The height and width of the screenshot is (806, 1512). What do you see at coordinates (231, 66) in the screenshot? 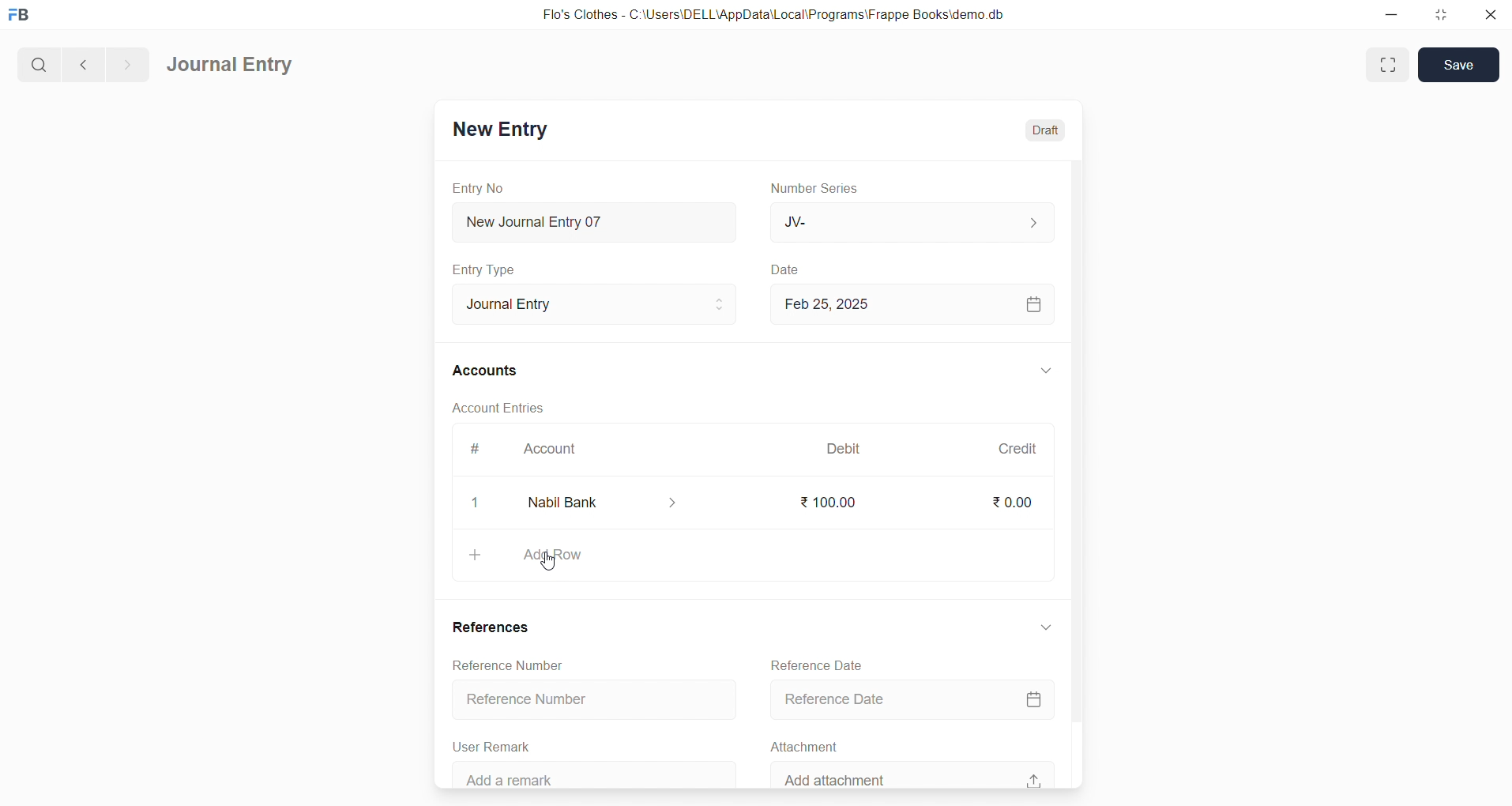
I see `Journal Entry` at bounding box center [231, 66].